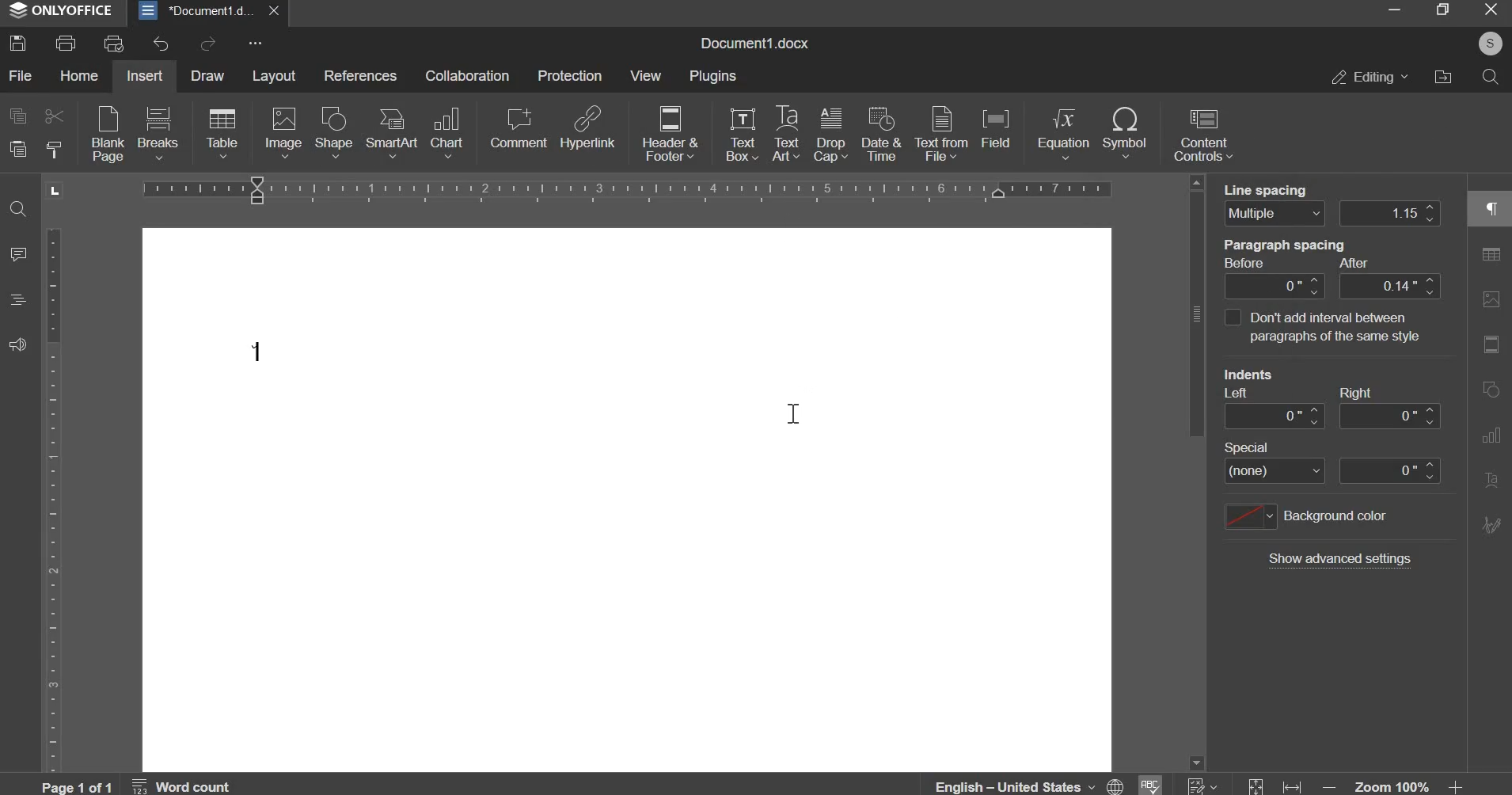  I want to click on text from file, so click(944, 132).